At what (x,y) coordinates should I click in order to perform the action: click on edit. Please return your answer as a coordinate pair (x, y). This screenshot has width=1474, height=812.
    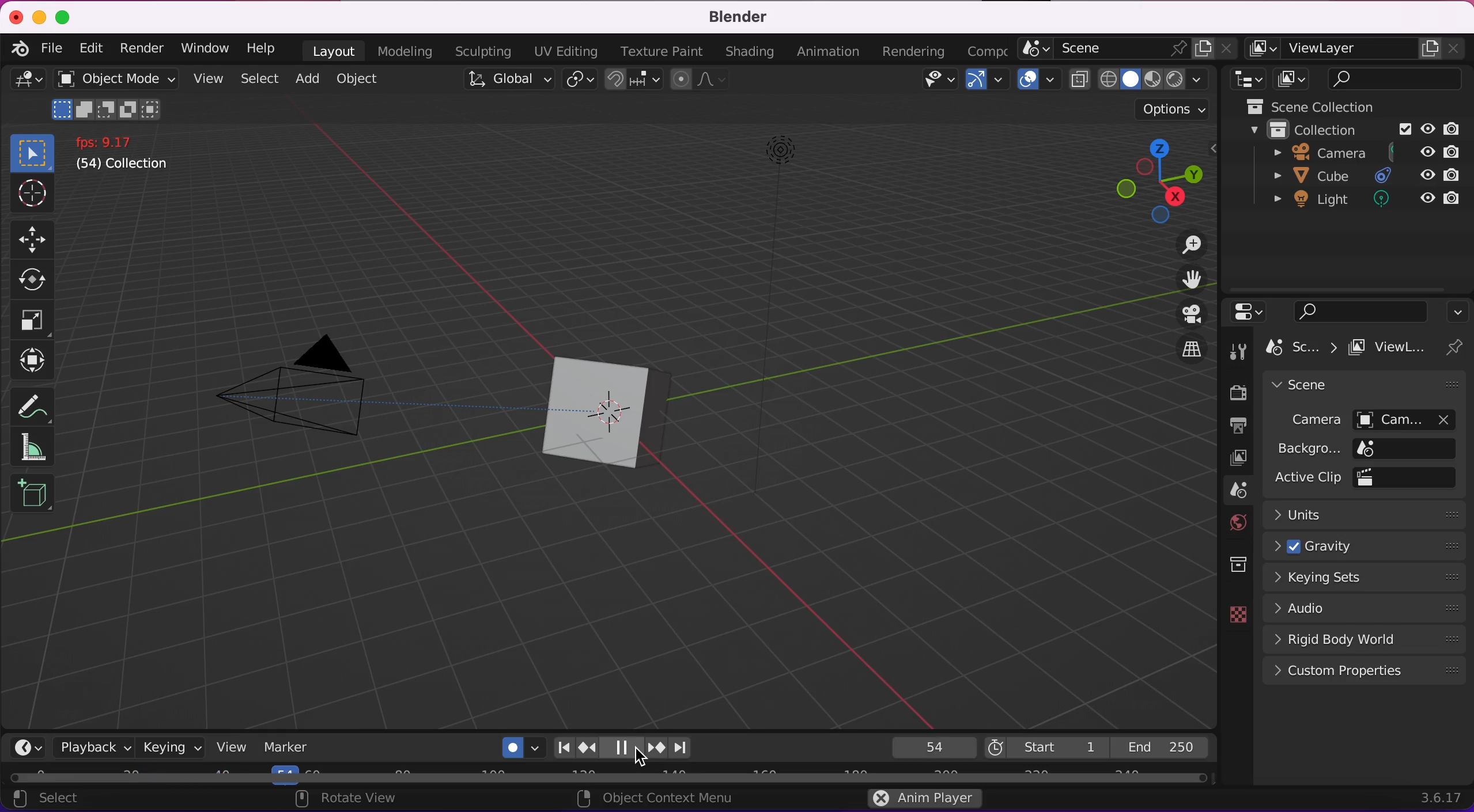
    Looking at the image, I should click on (90, 48).